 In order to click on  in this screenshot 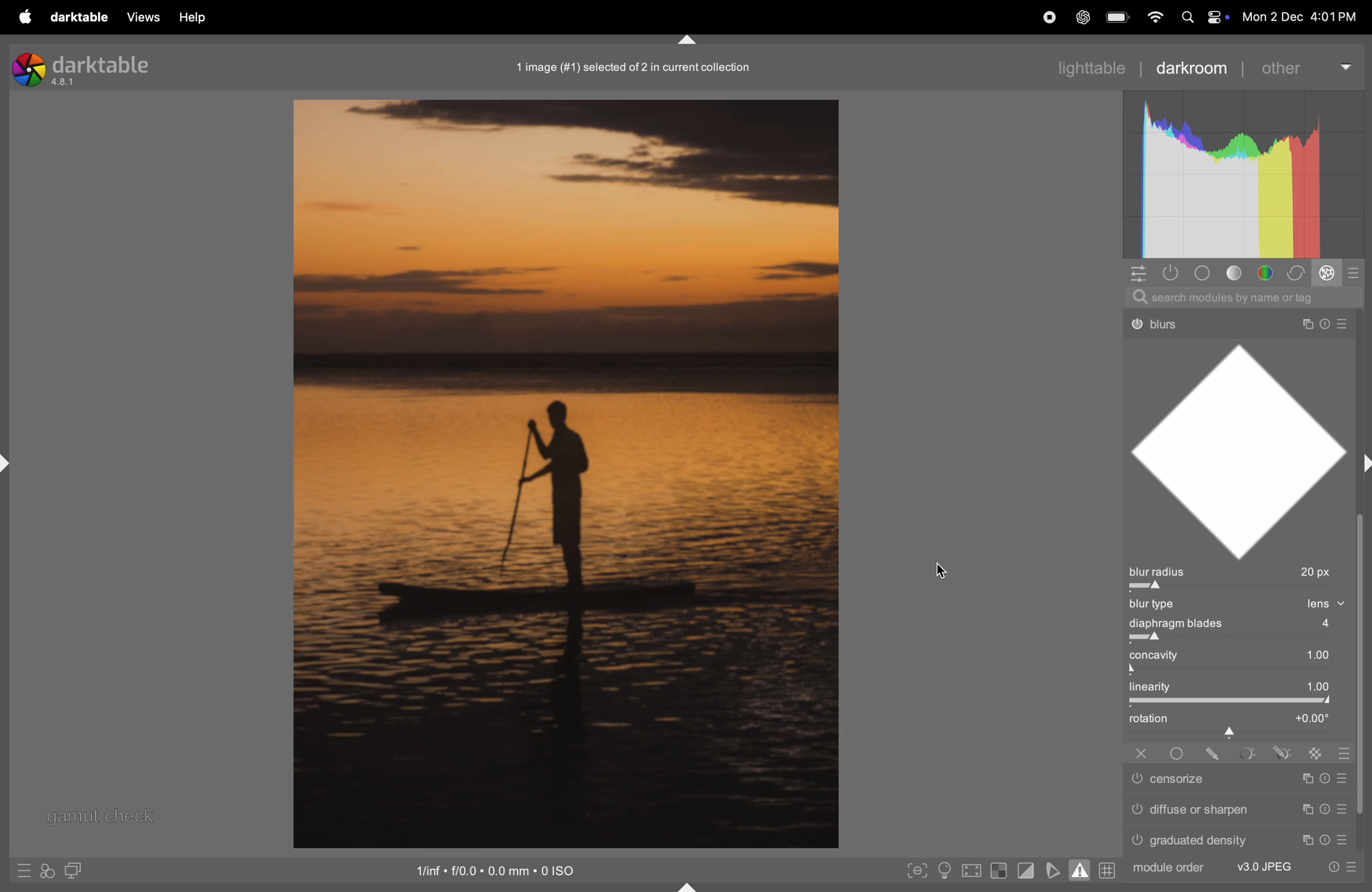, I will do `click(1141, 754)`.